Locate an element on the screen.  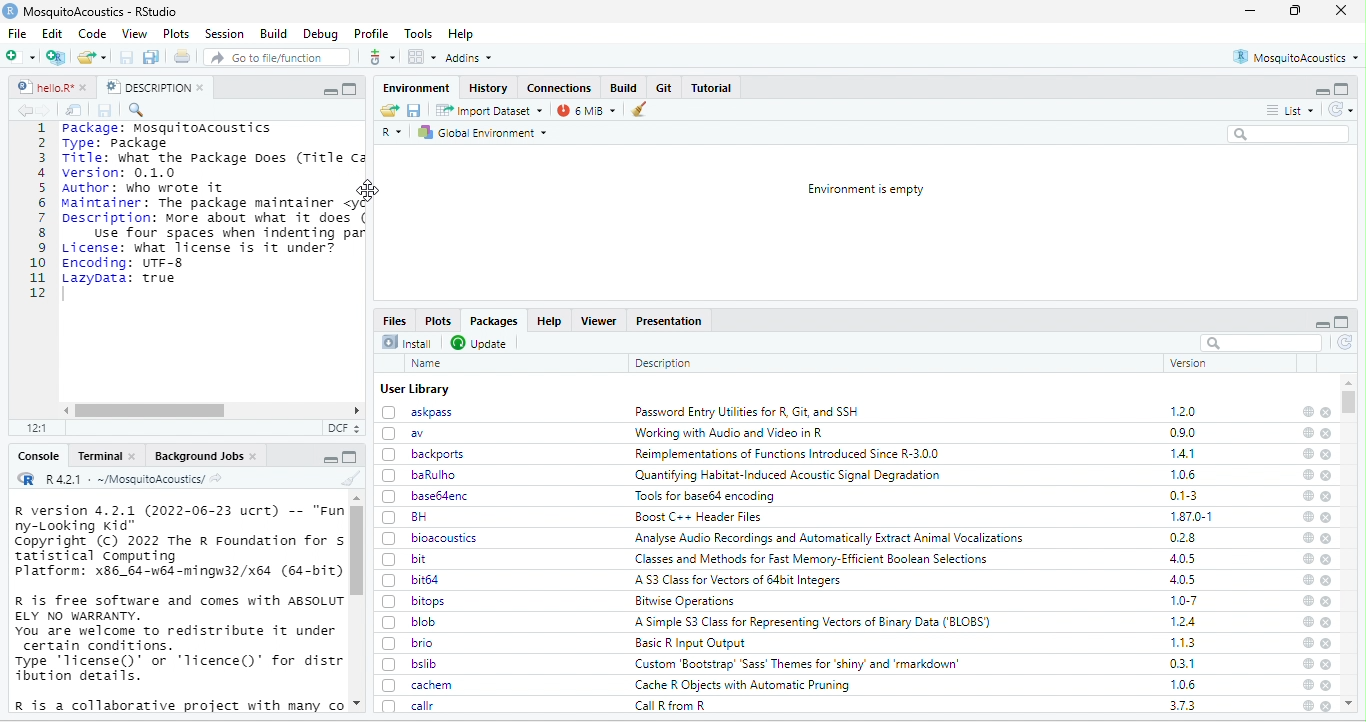
6 MiB is located at coordinates (589, 110).